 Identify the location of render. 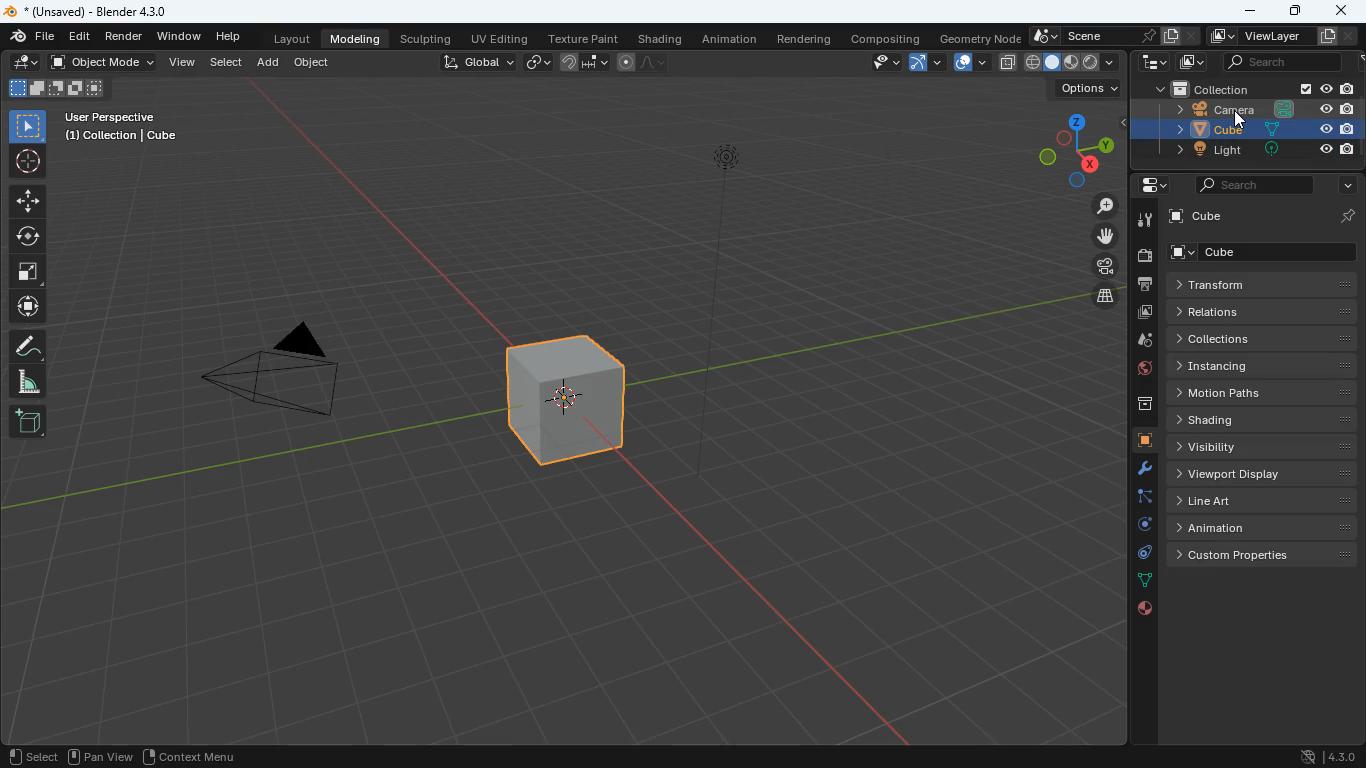
(125, 37).